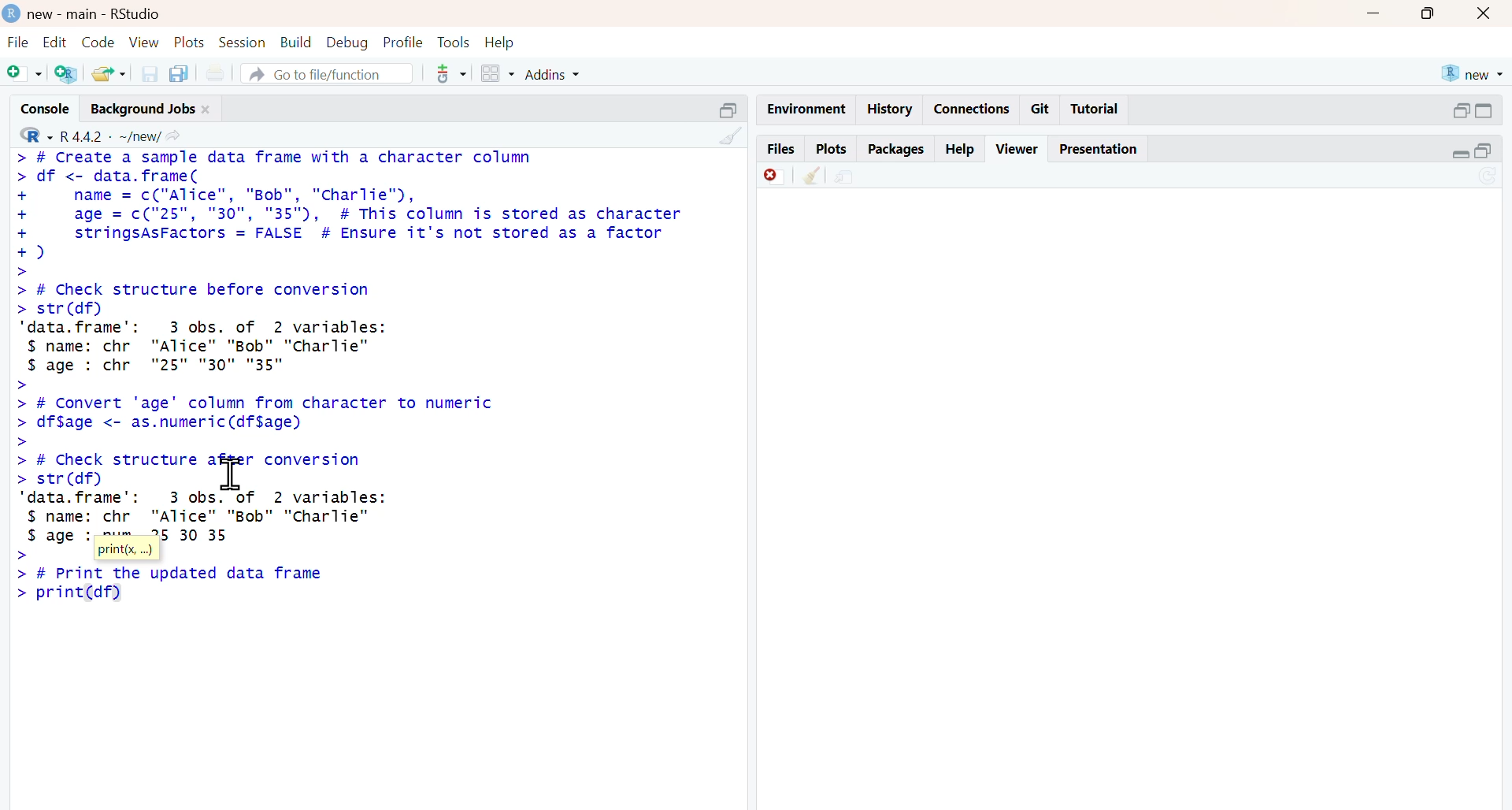 The height and width of the screenshot is (810, 1512). Describe the element at coordinates (144, 43) in the screenshot. I see `view` at that location.